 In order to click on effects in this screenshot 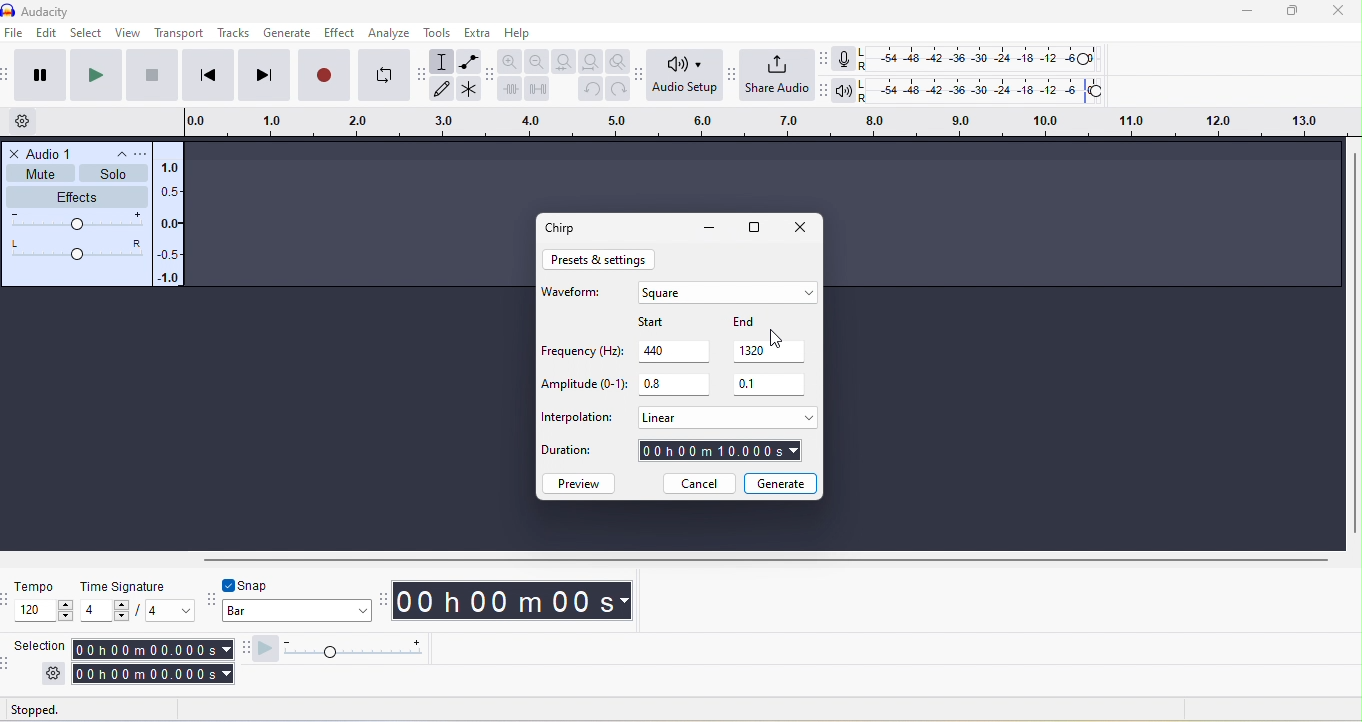, I will do `click(79, 196)`.